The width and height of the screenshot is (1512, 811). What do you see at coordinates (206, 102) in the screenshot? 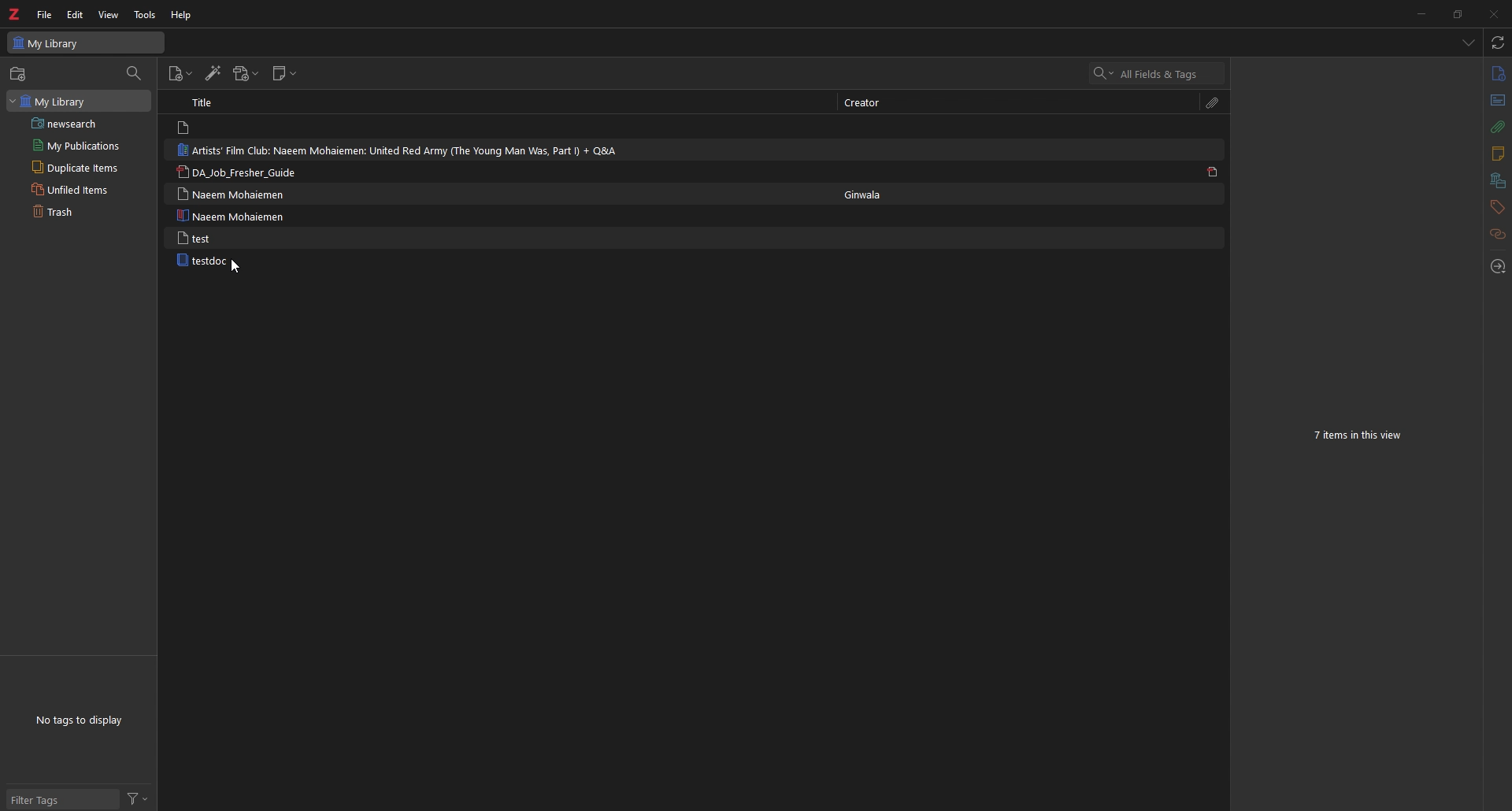
I see `Title` at bounding box center [206, 102].